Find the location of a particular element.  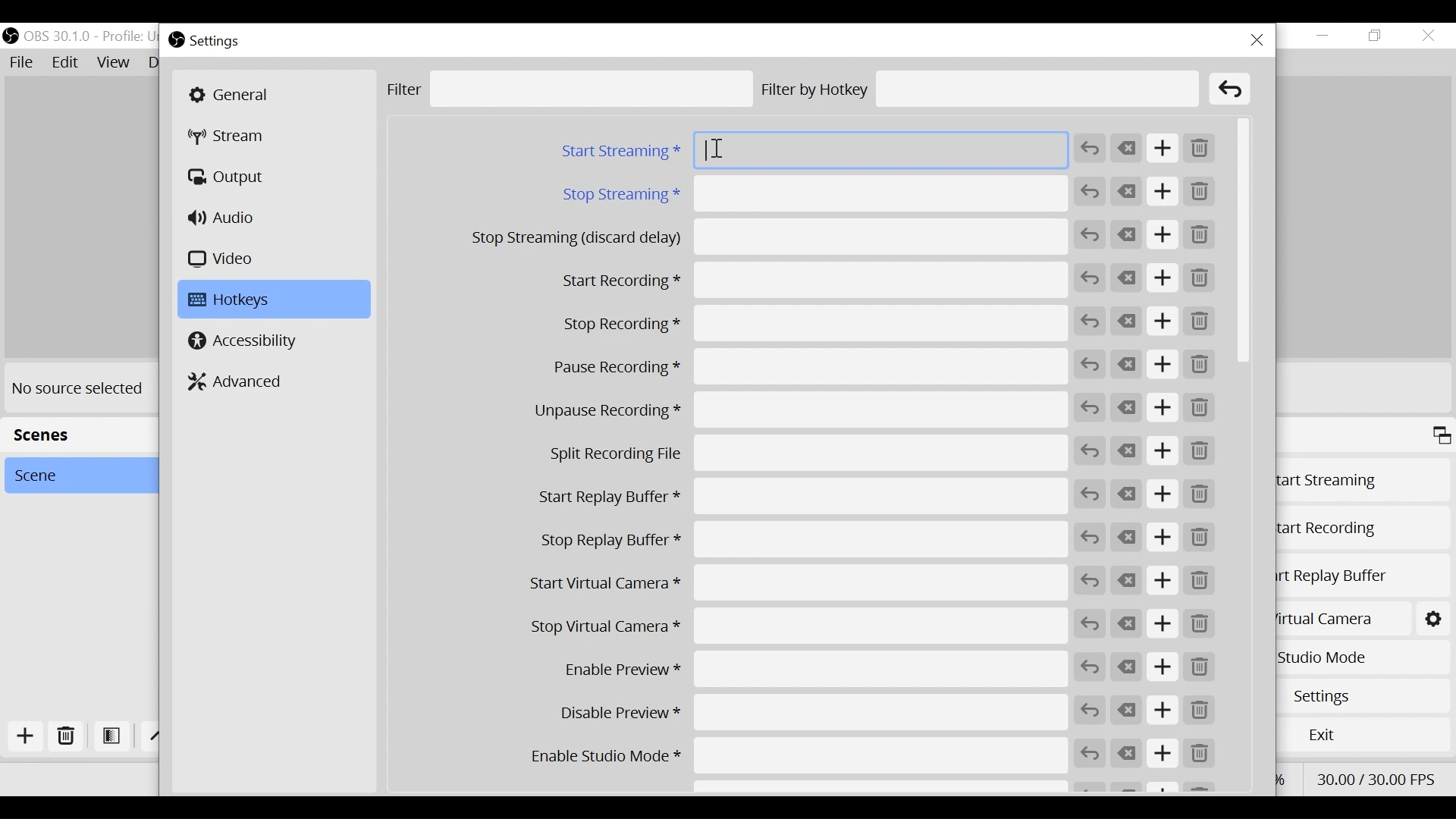

Clear is located at coordinates (1125, 449).